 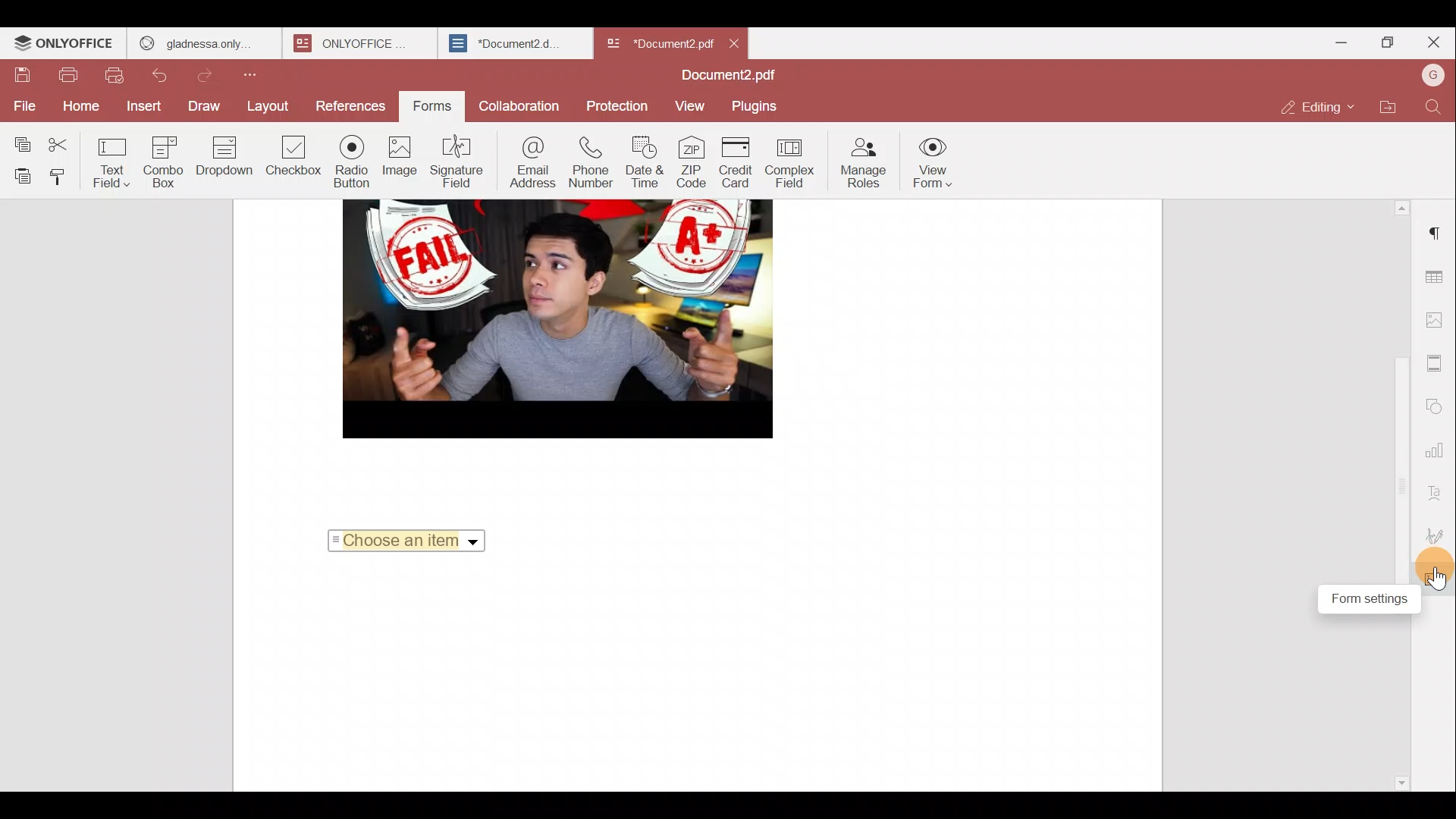 I want to click on View, so click(x=692, y=105).